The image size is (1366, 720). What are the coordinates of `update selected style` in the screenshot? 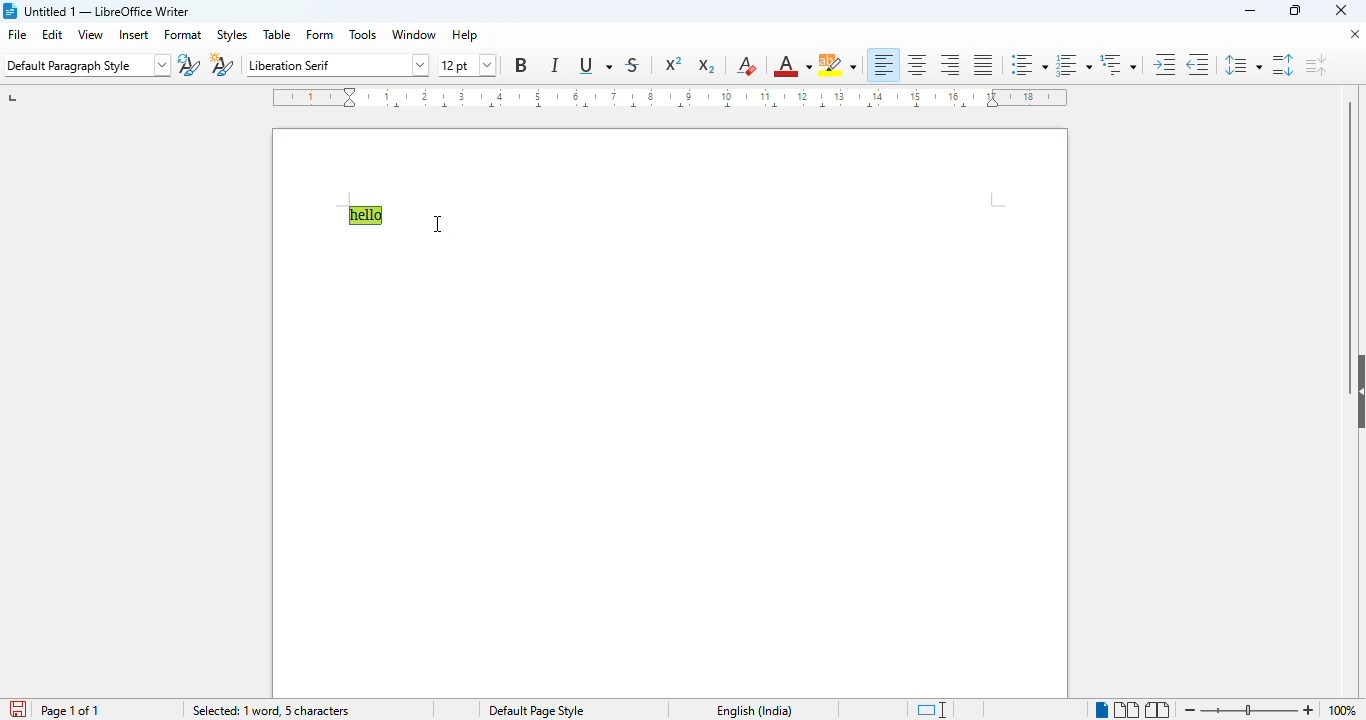 It's located at (189, 65).